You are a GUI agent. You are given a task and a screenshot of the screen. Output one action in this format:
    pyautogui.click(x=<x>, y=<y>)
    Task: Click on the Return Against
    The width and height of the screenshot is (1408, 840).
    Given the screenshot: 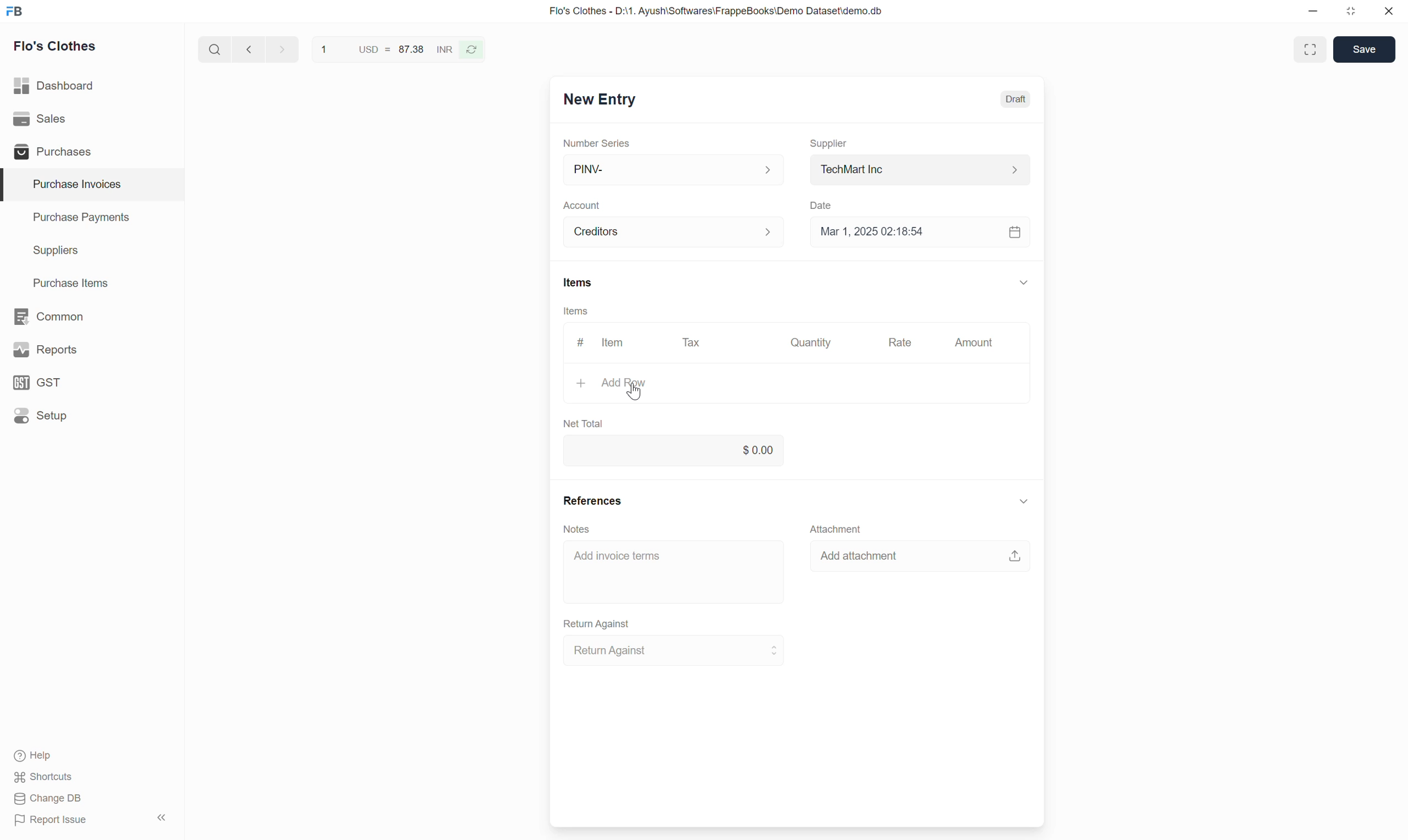 What is the action you would take?
    pyautogui.click(x=597, y=624)
    